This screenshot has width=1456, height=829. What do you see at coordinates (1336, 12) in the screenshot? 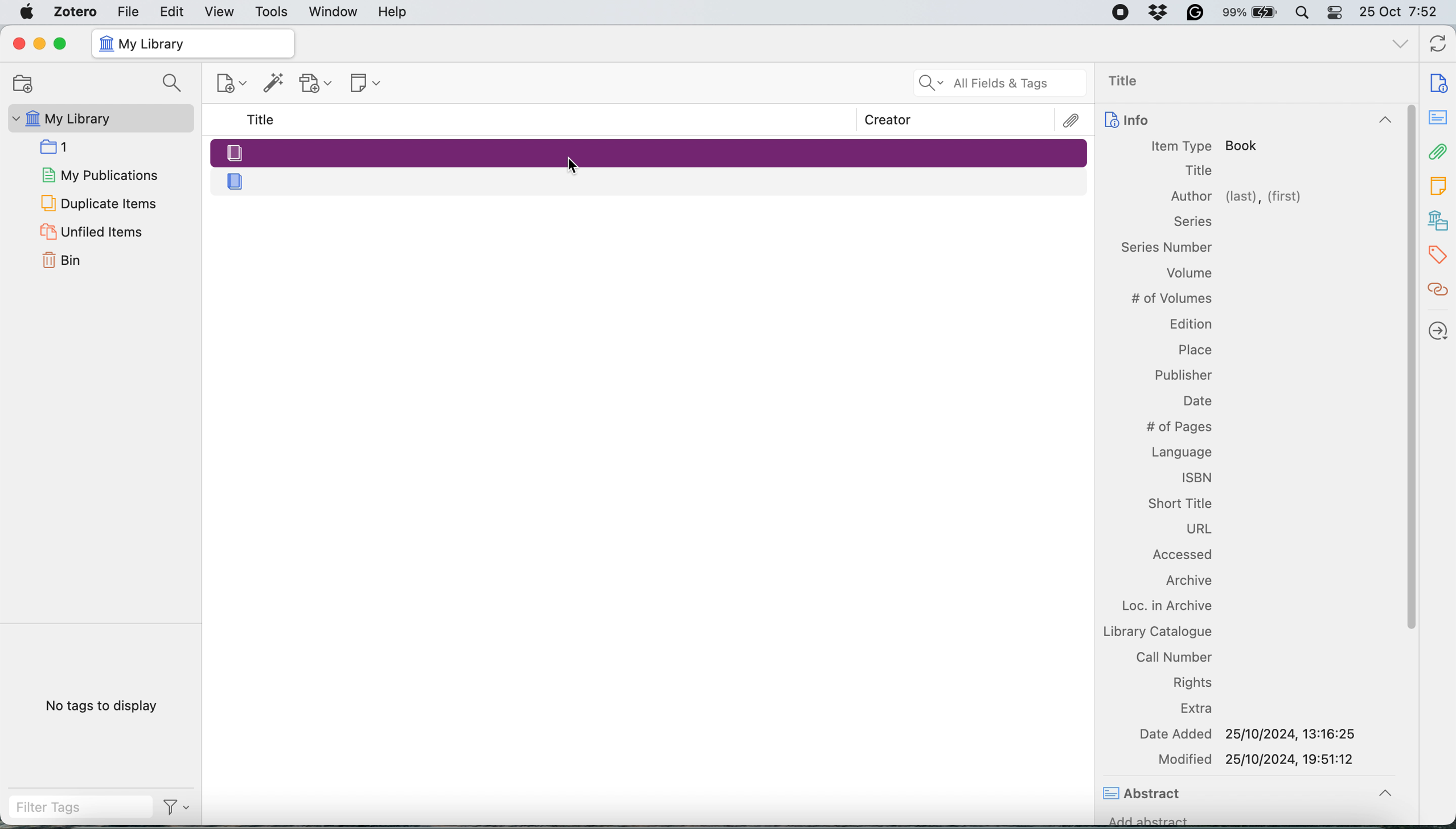
I see `Control Centre` at bounding box center [1336, 12].